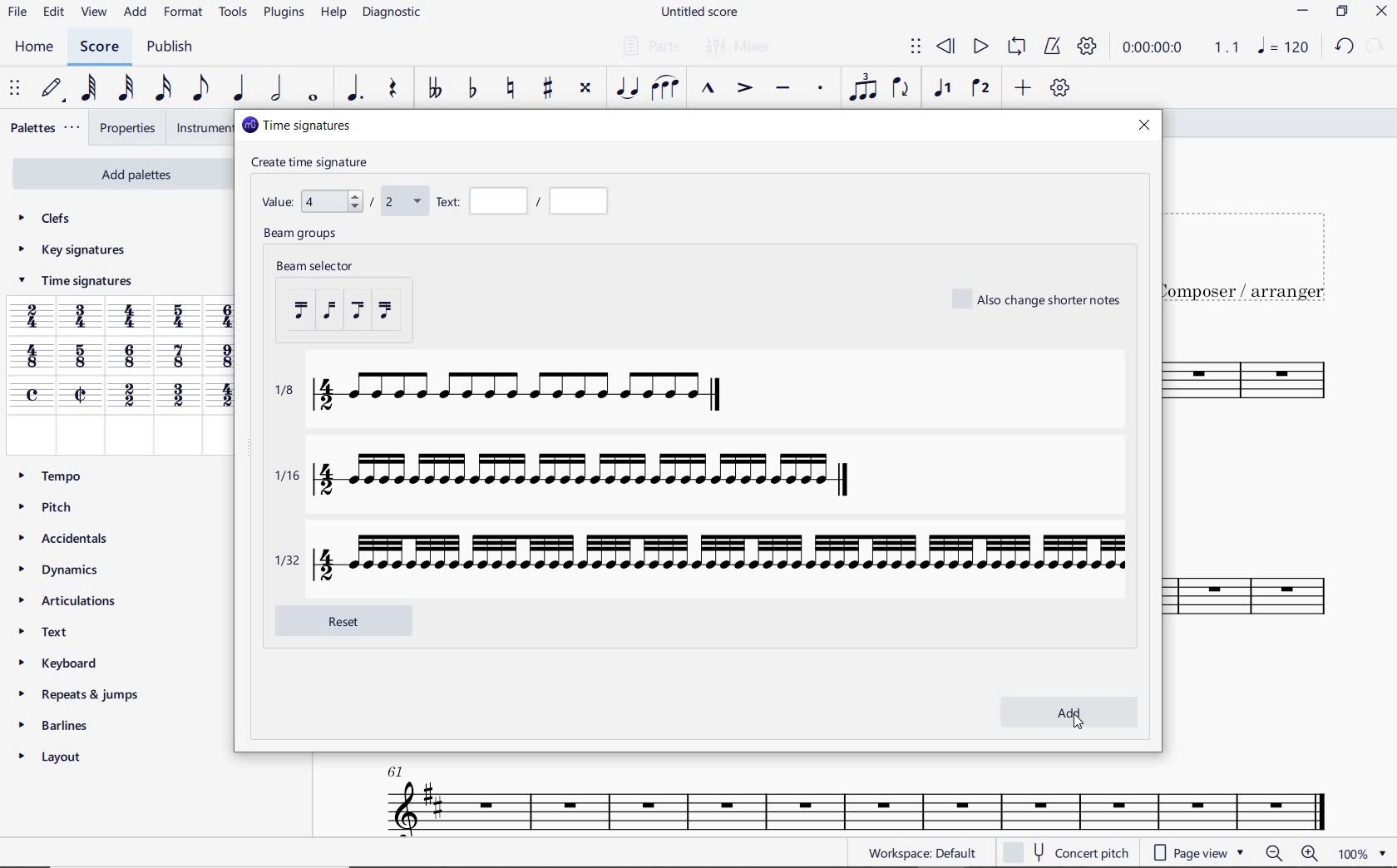 Image resolution: width=1397 pixels, height=868 pixels. Describe the element at coordinates (62, 536) in the screenshot. I see `ACCIDENTALS` at that location.